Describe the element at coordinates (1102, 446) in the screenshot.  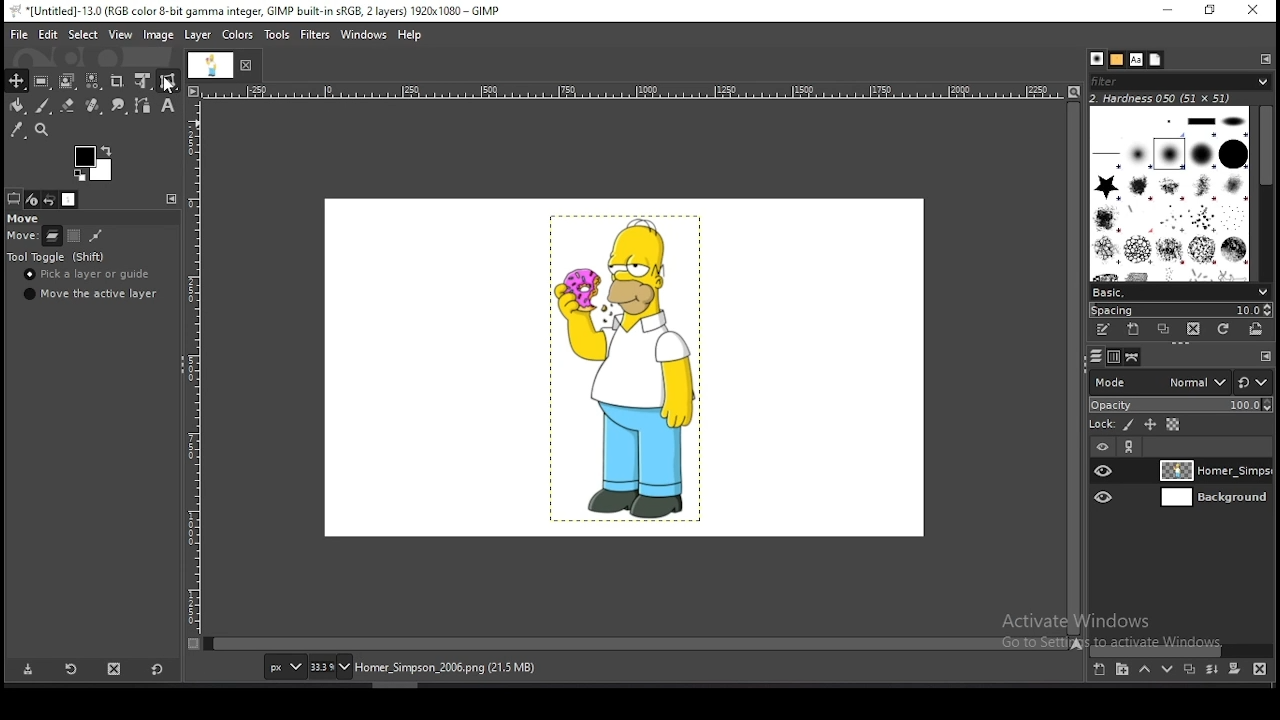
I see `layer on/off` at that location.